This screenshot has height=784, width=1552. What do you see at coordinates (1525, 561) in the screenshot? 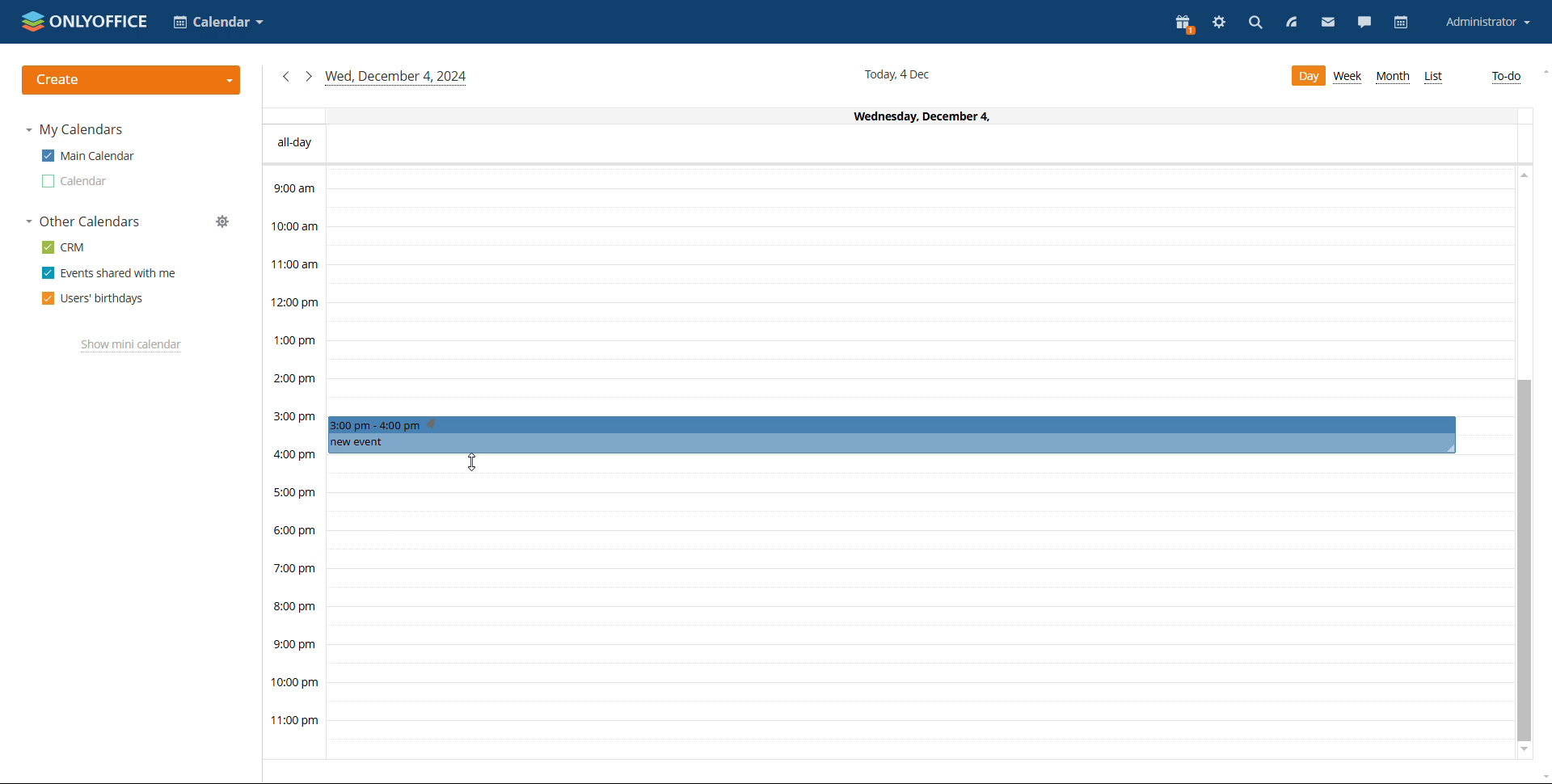
I see `scrollbar` at bounding box center [1525, 561].